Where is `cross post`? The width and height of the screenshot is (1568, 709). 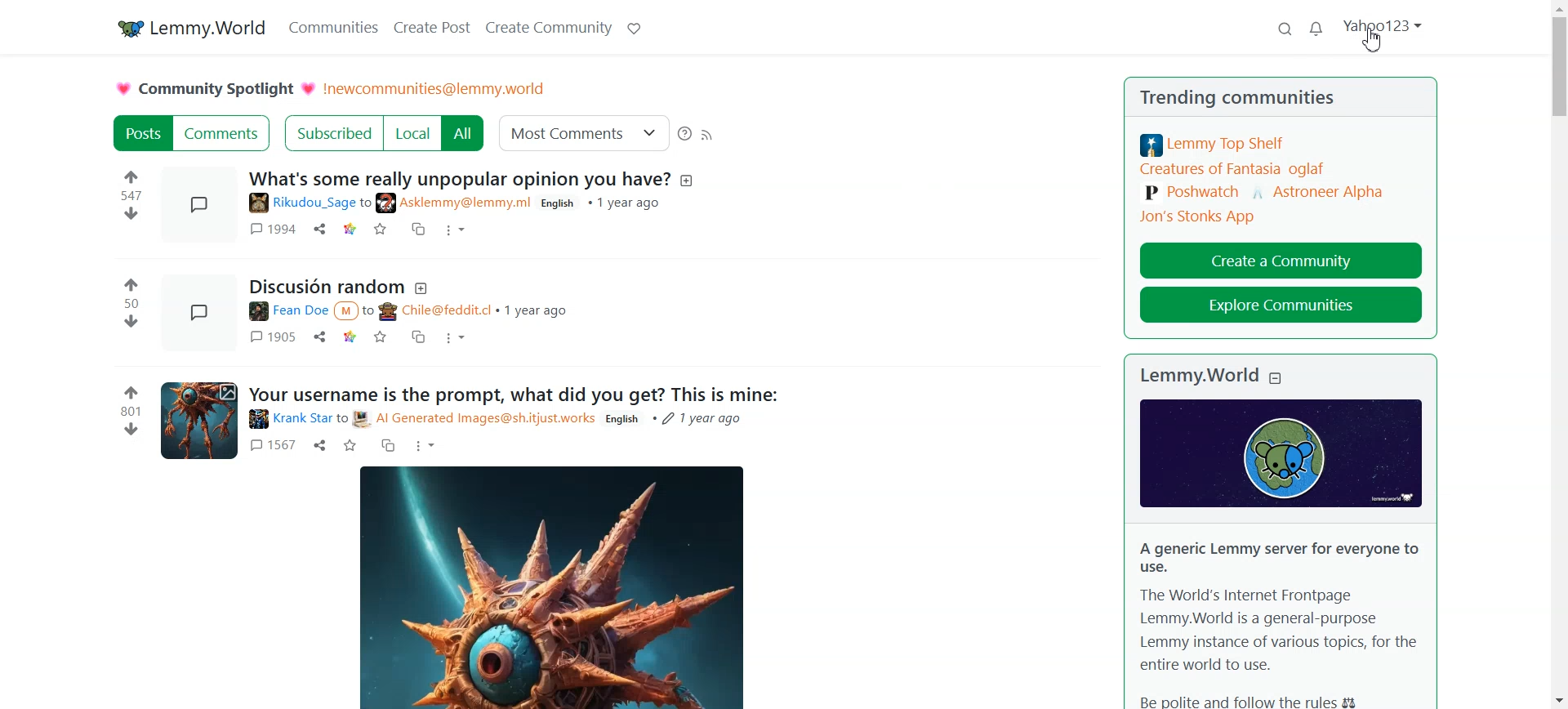 cross post is located at coordinates (420, 338).